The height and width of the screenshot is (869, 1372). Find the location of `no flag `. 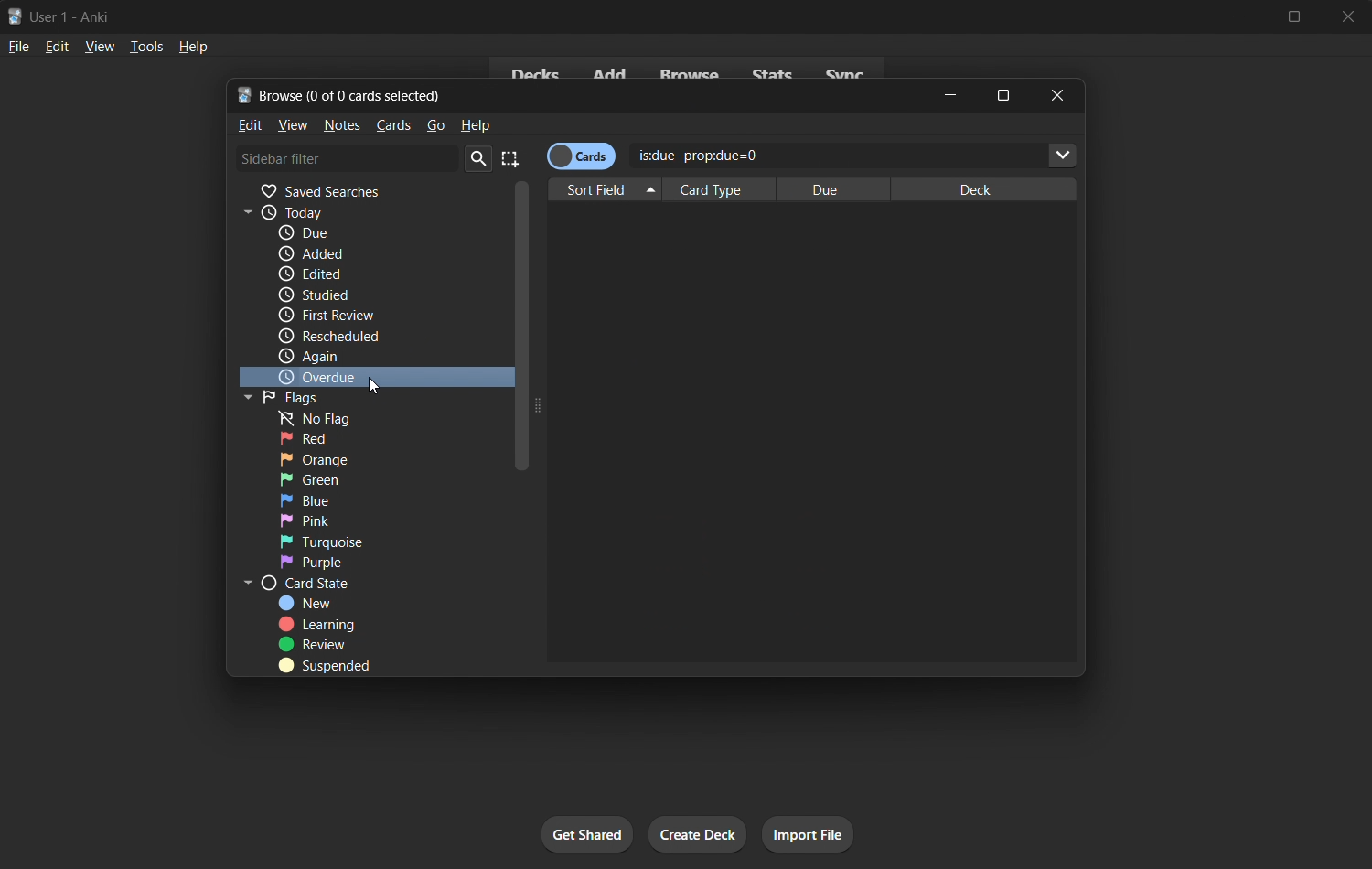

no flag  is located at coordinates (336, 418).